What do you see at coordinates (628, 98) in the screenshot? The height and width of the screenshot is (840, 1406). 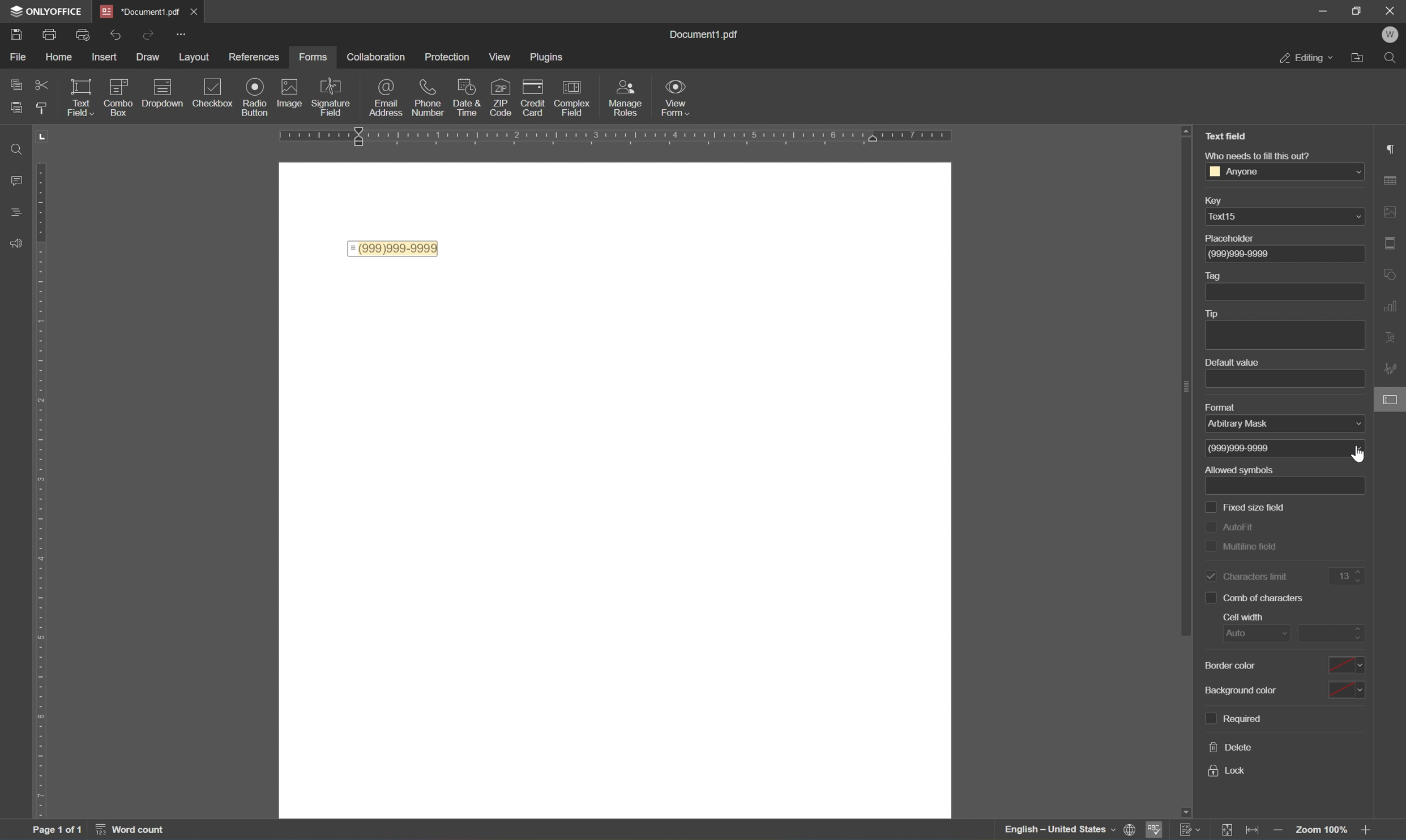 I see `input roles` at bounding box center [628, 98].